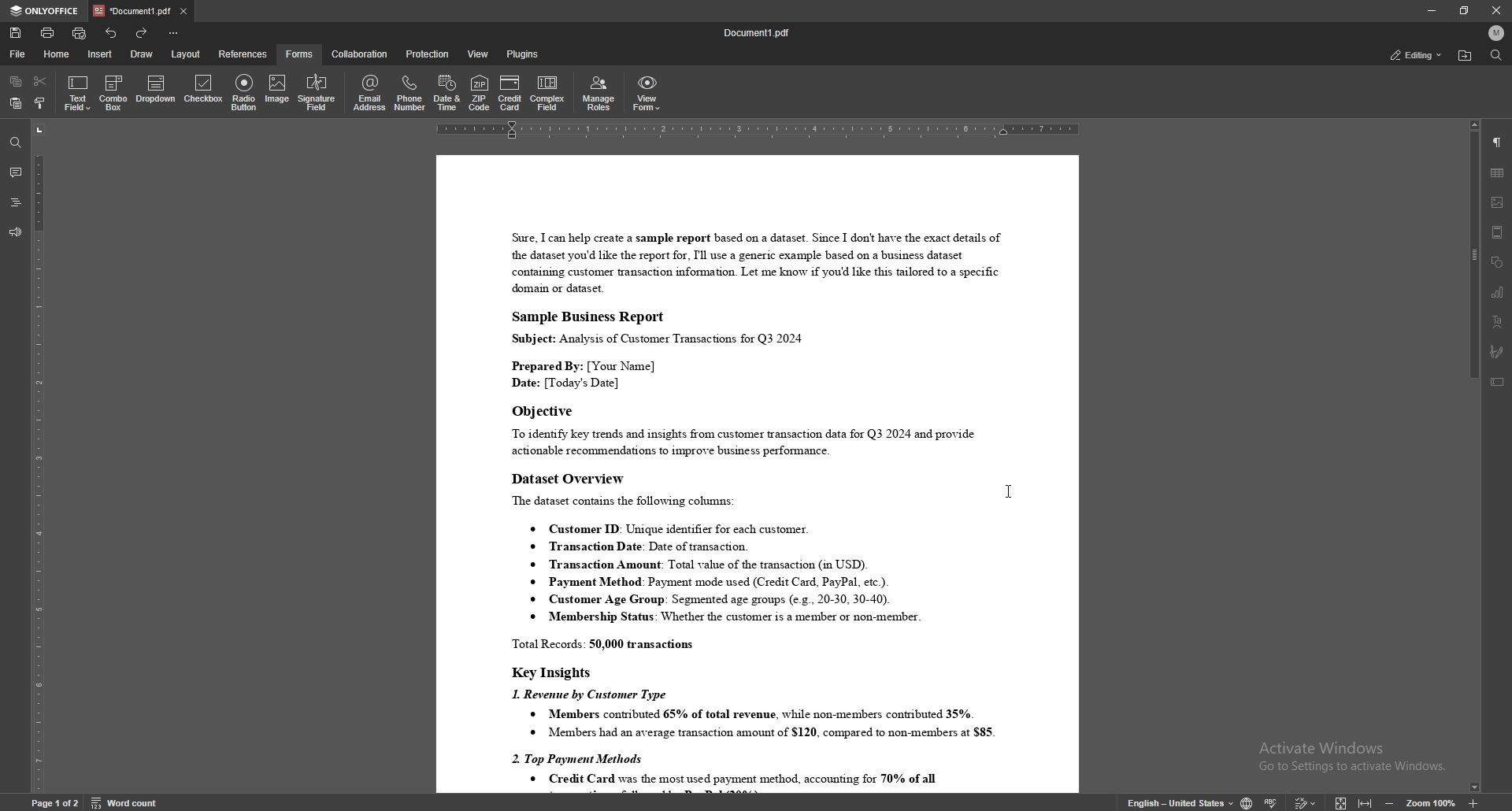 The width and height of the screenshot is (1512, 811). Describe the element at coordinates (510, 92) in the screenshot. I see `credit card` at that location.